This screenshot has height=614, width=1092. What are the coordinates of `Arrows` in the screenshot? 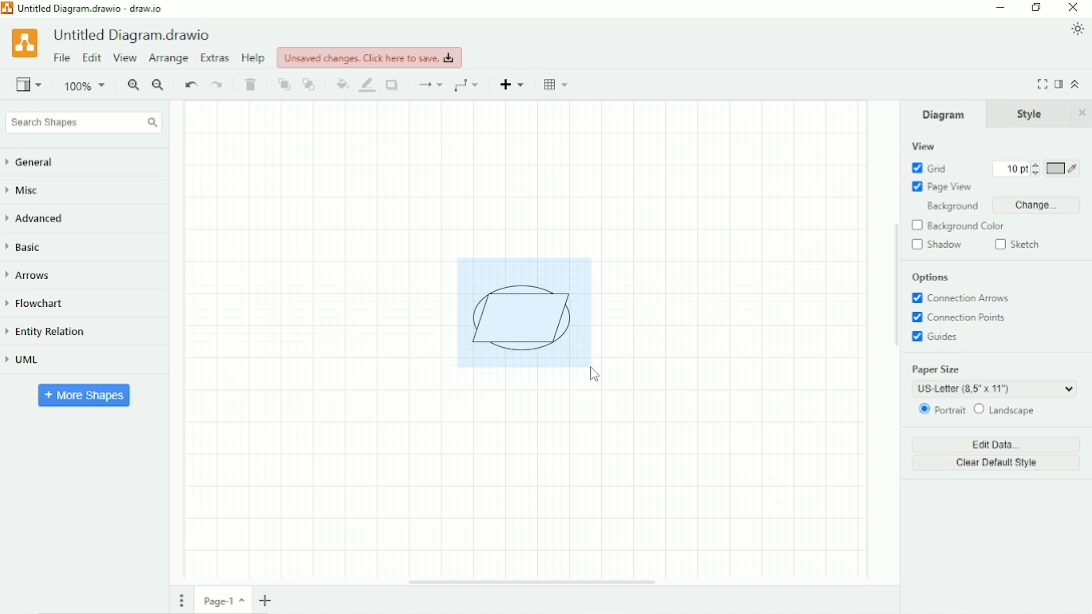 It's located at (35, 275).